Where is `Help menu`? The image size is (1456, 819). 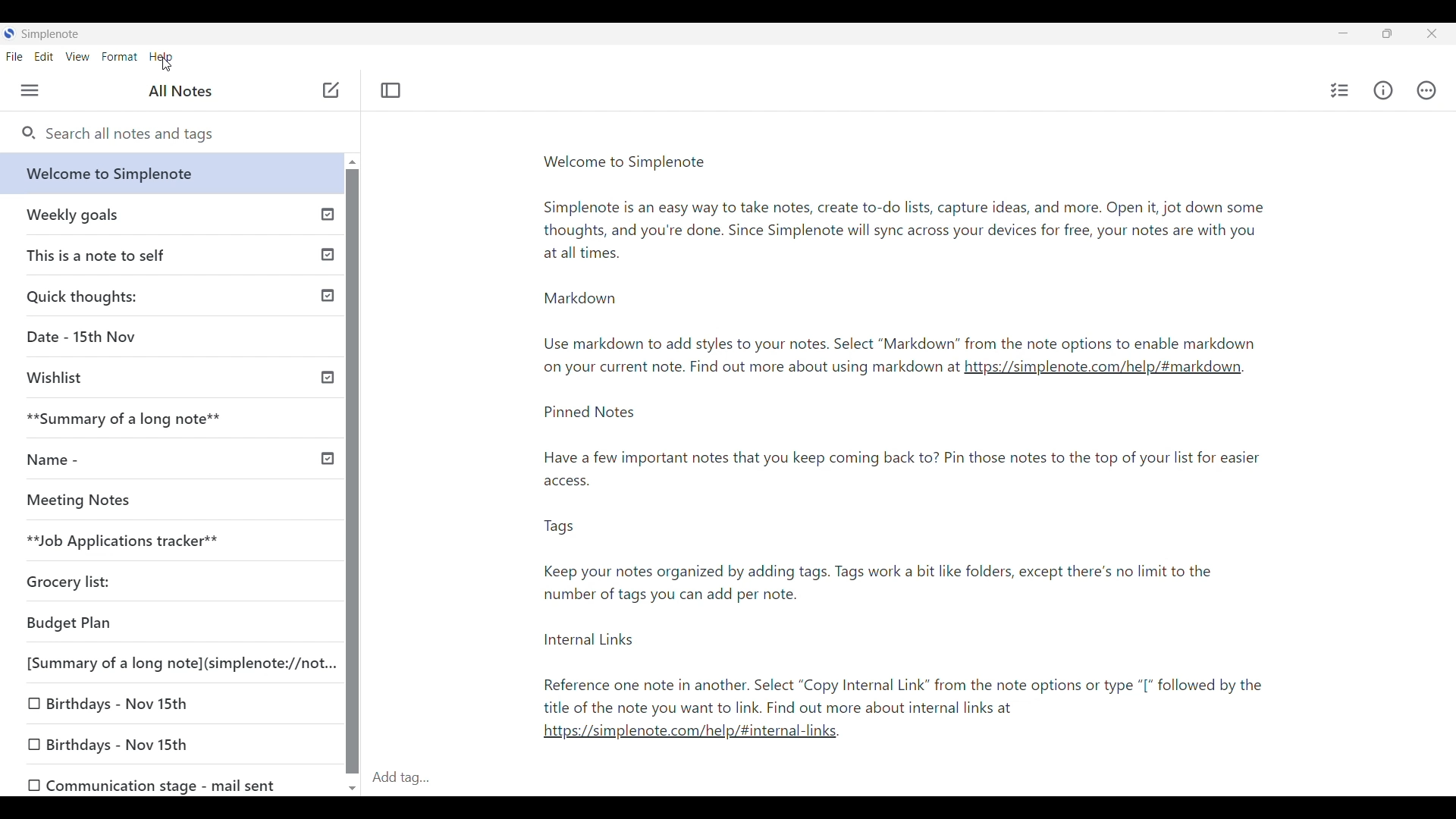 Help menu is located at coordinates (162, 58).